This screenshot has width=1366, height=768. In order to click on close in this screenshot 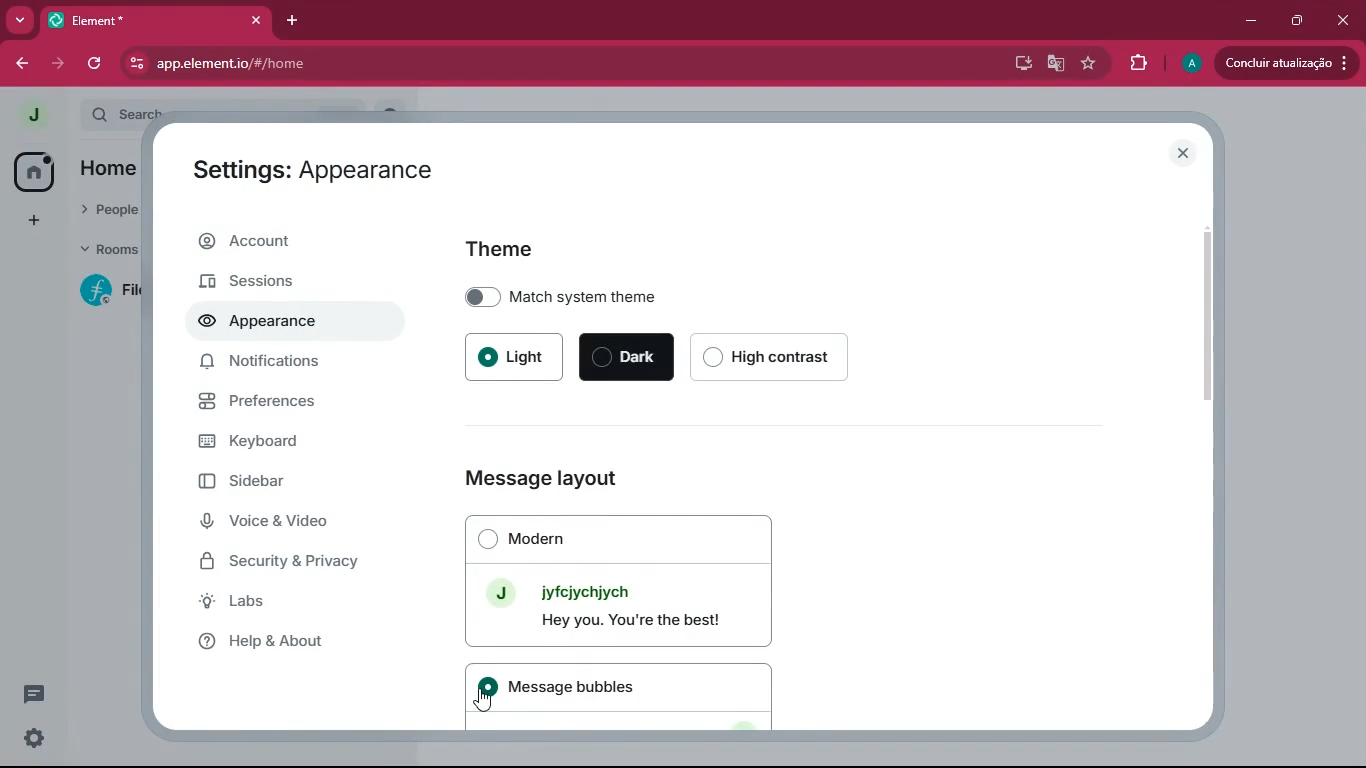, I will do `click(256, 20)`.